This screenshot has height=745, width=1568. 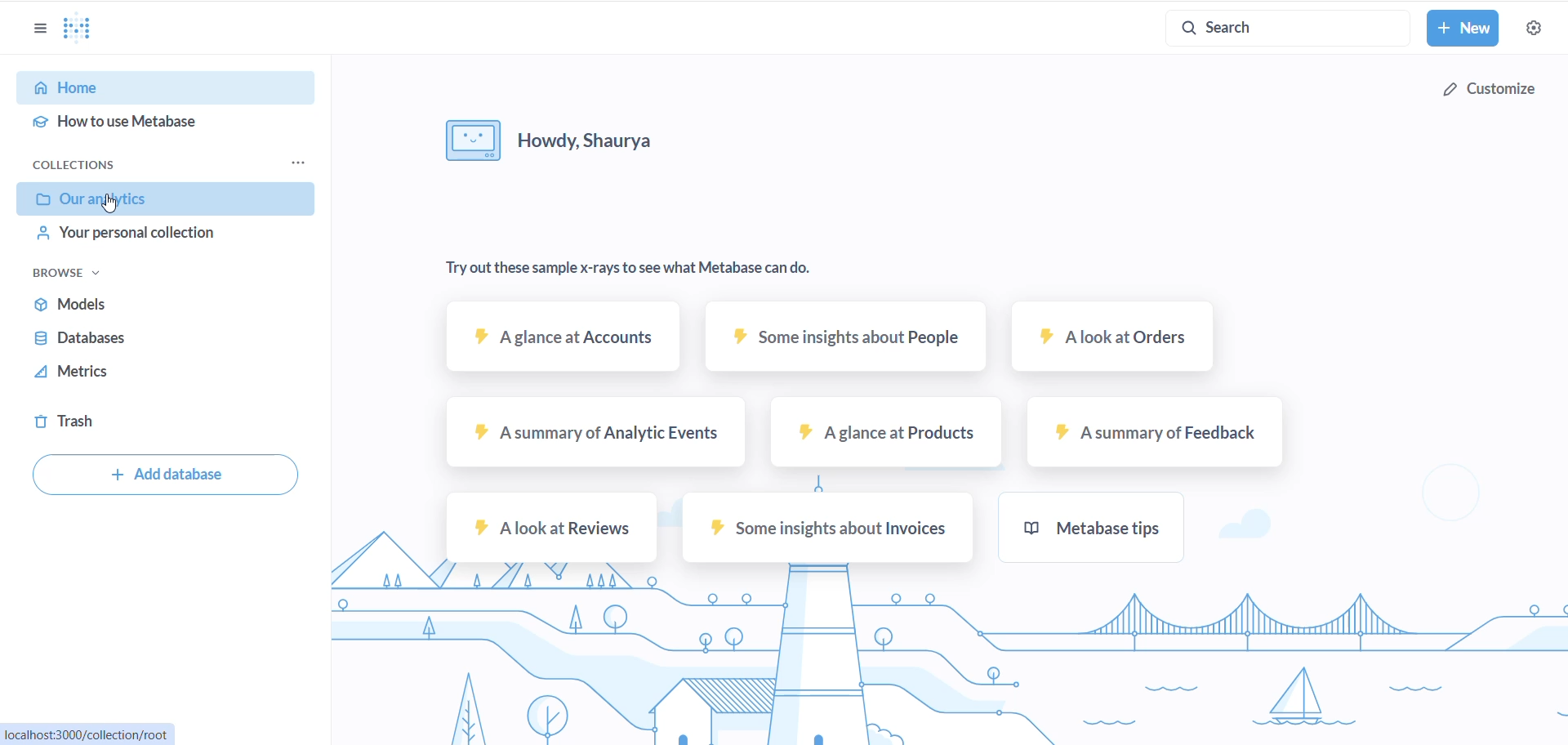 I want to click on Howdy,Shaurya, so click(x=606, y=136).